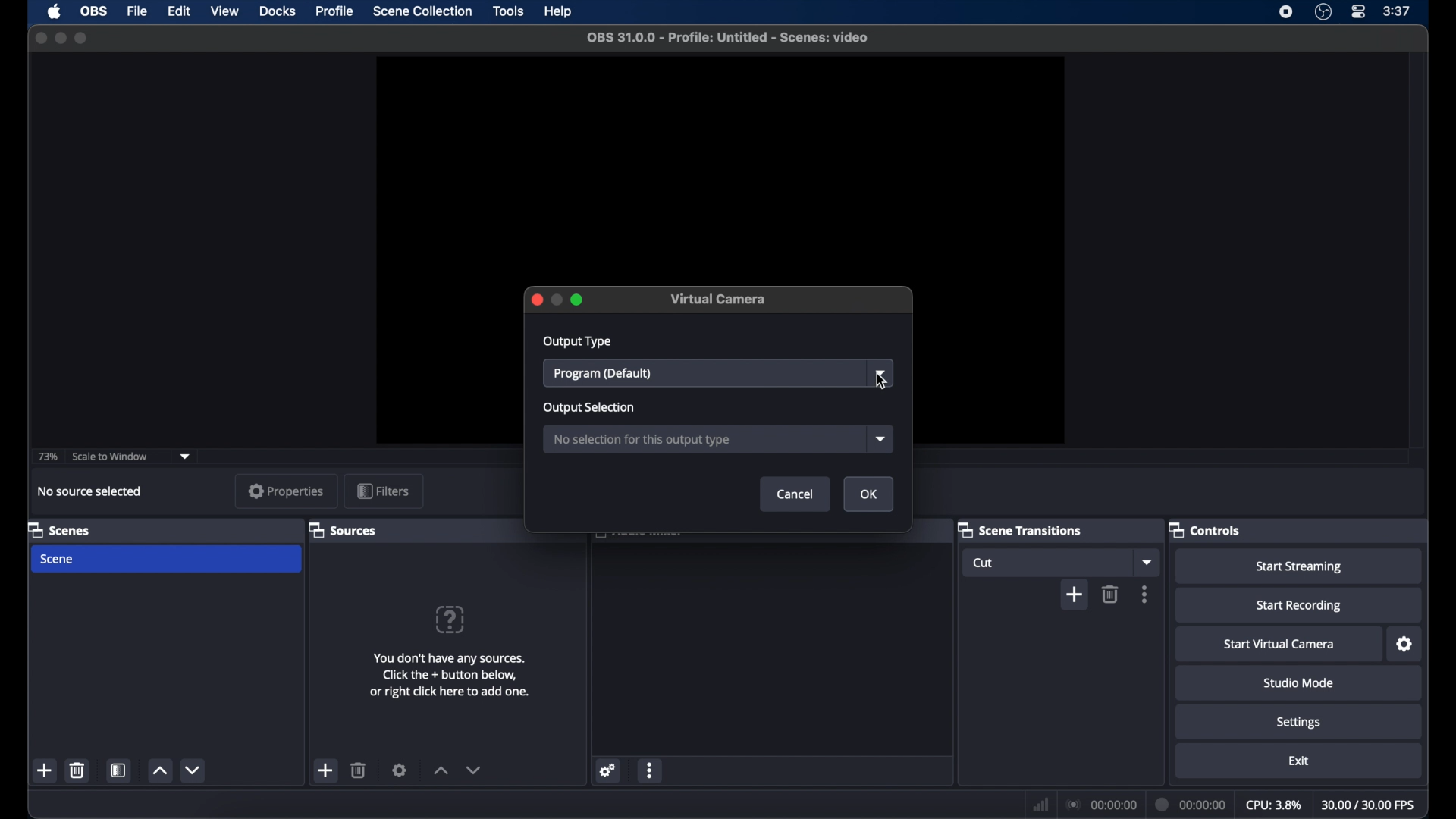 The height and width of the screenshot is (819, 1456). I want to click on fps, so click(1369, 805).